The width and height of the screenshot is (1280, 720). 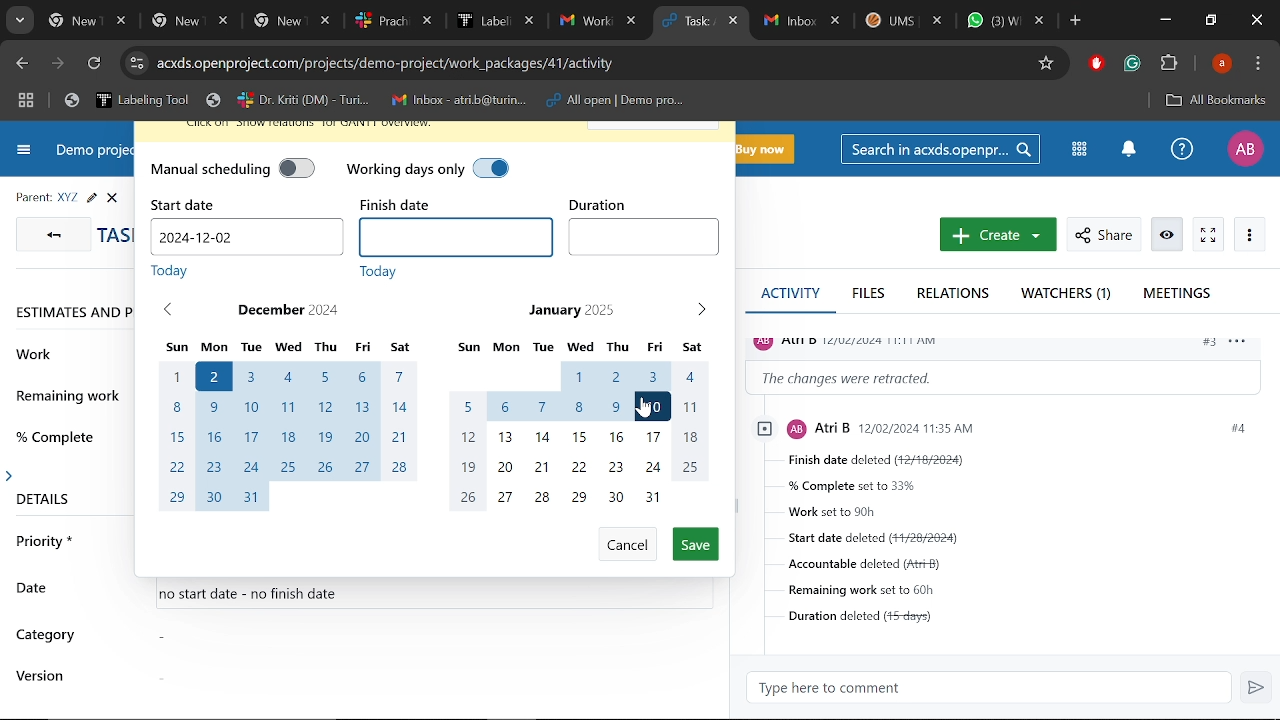 I want to click on Modules, so click(x=1080, y=151).